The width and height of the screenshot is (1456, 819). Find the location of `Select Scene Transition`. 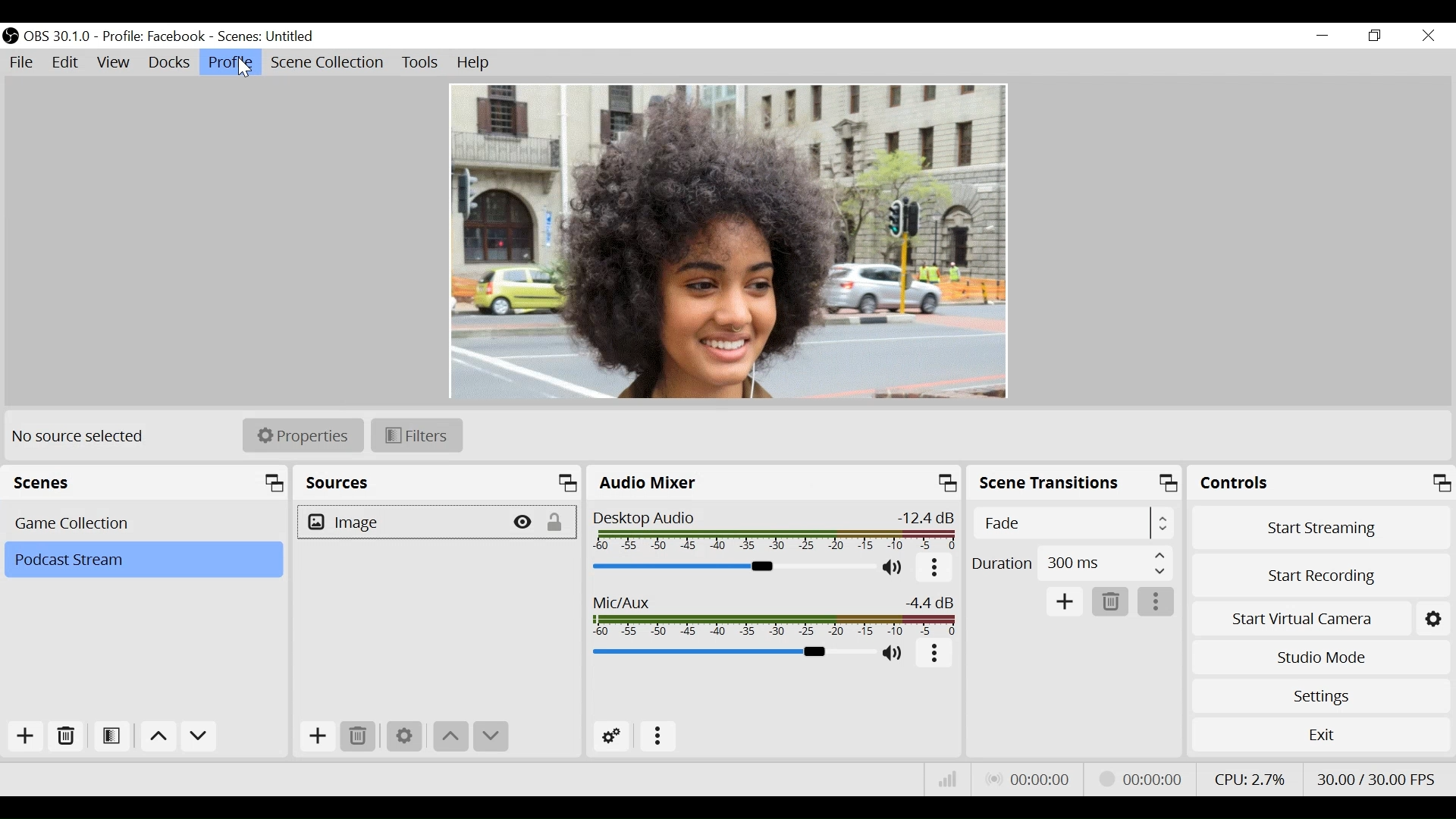

Select Scene Transition is located at coordinates (1073, 525).